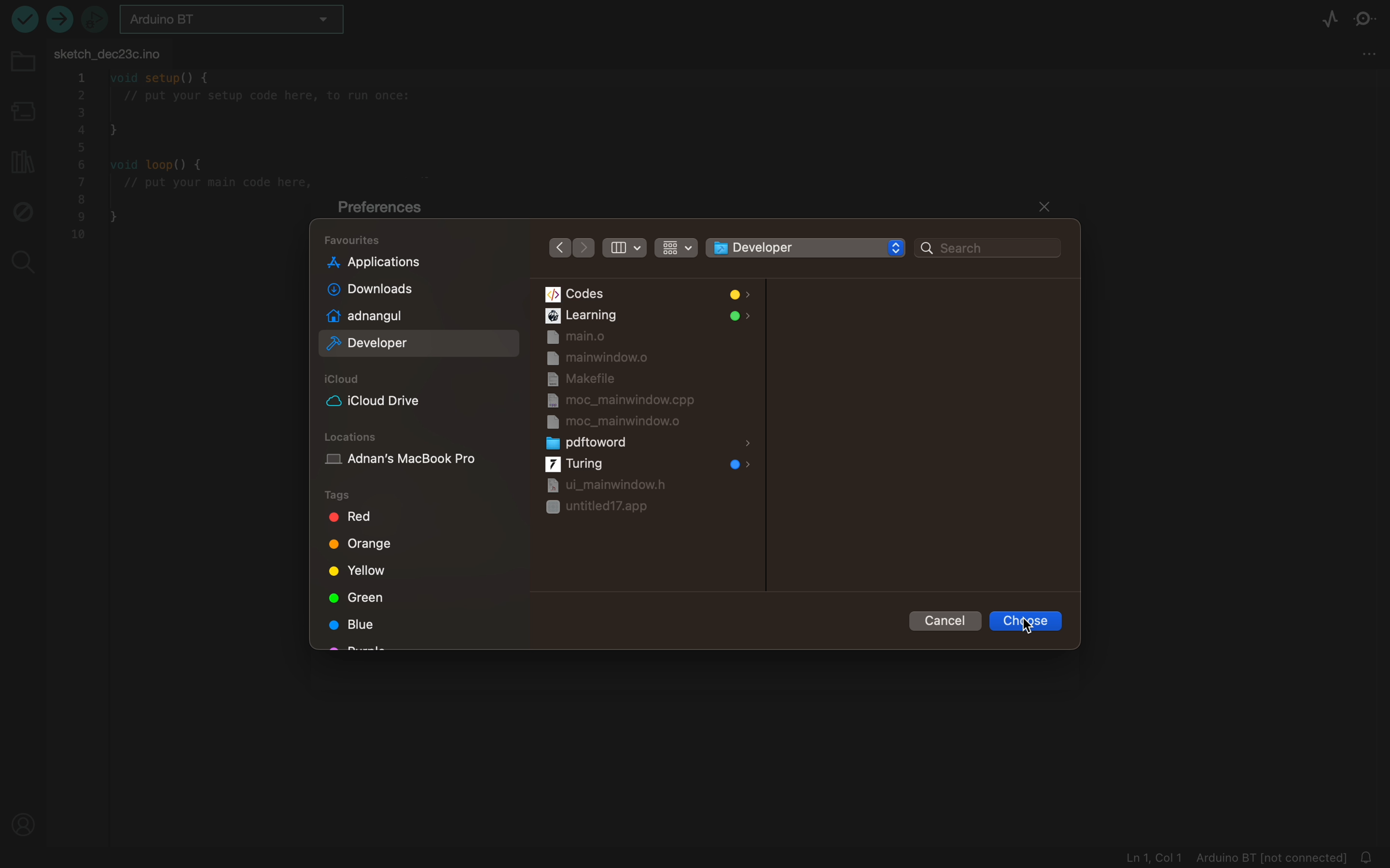 The image size is (1390, 868). I want to click on turing, so click(650, 464).